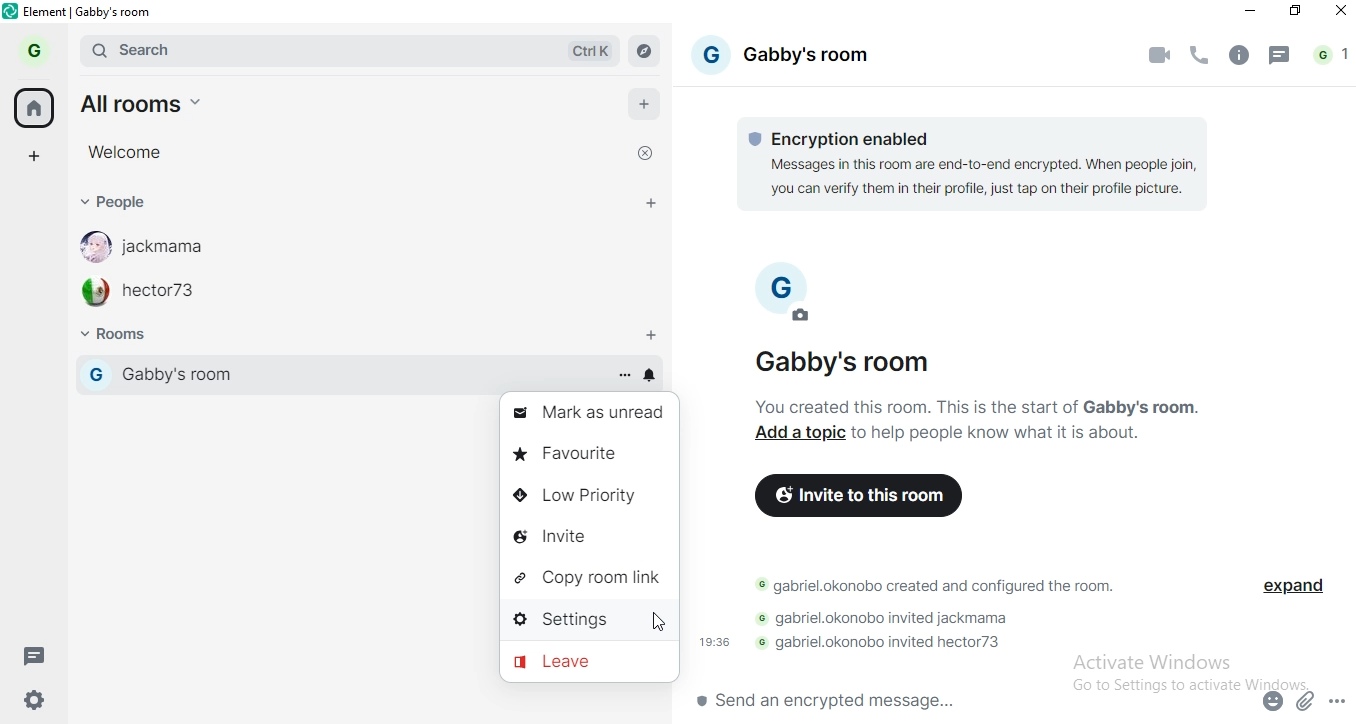 Image resolution: width=1356 pixels, height=724 pixels. Describe the element at coordinates (1239, 55) in the screenshot. I see `info` at that location.